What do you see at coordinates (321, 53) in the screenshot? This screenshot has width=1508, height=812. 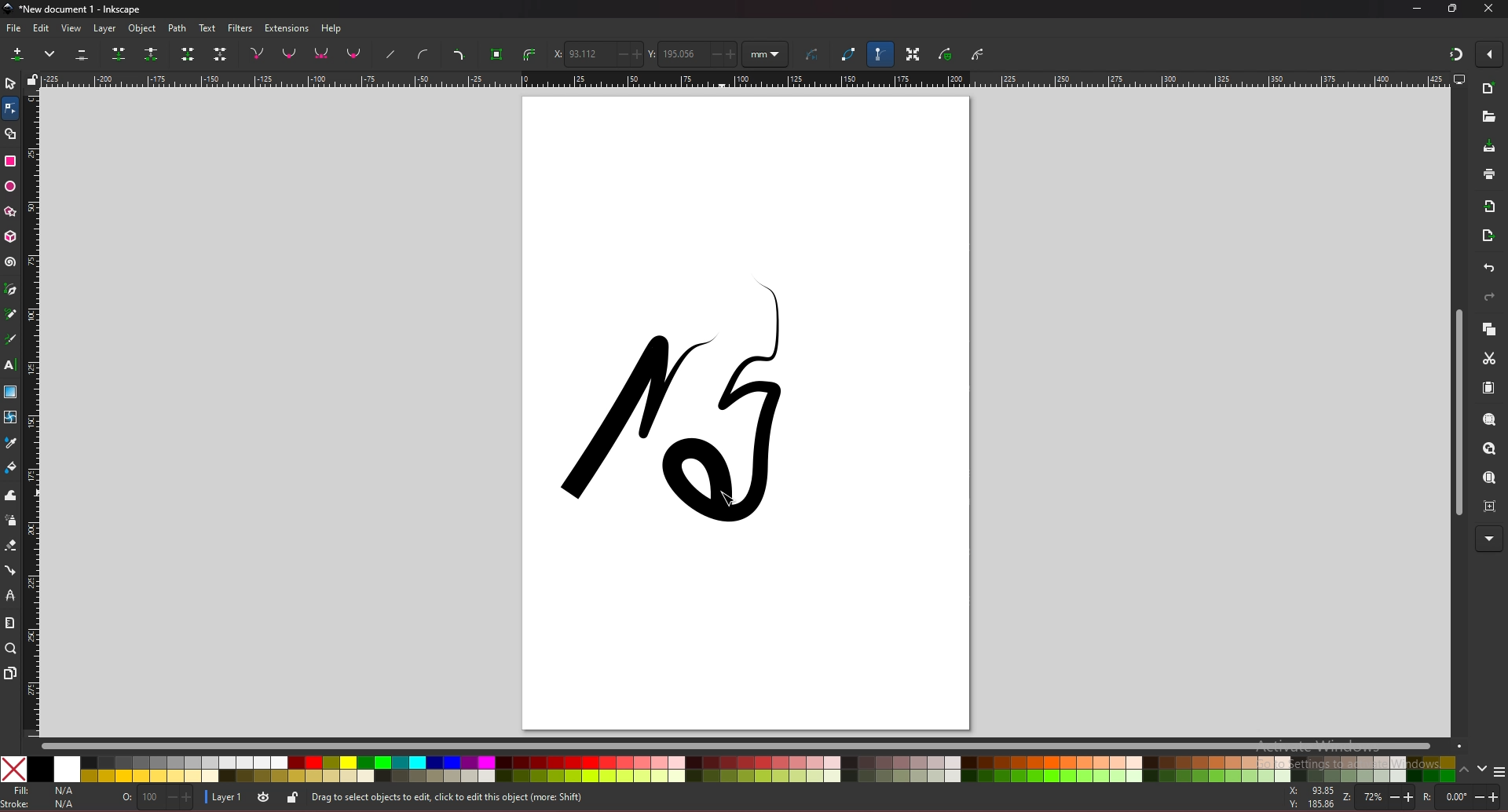 I see `symmetric node` at bounding box center [321, 53].